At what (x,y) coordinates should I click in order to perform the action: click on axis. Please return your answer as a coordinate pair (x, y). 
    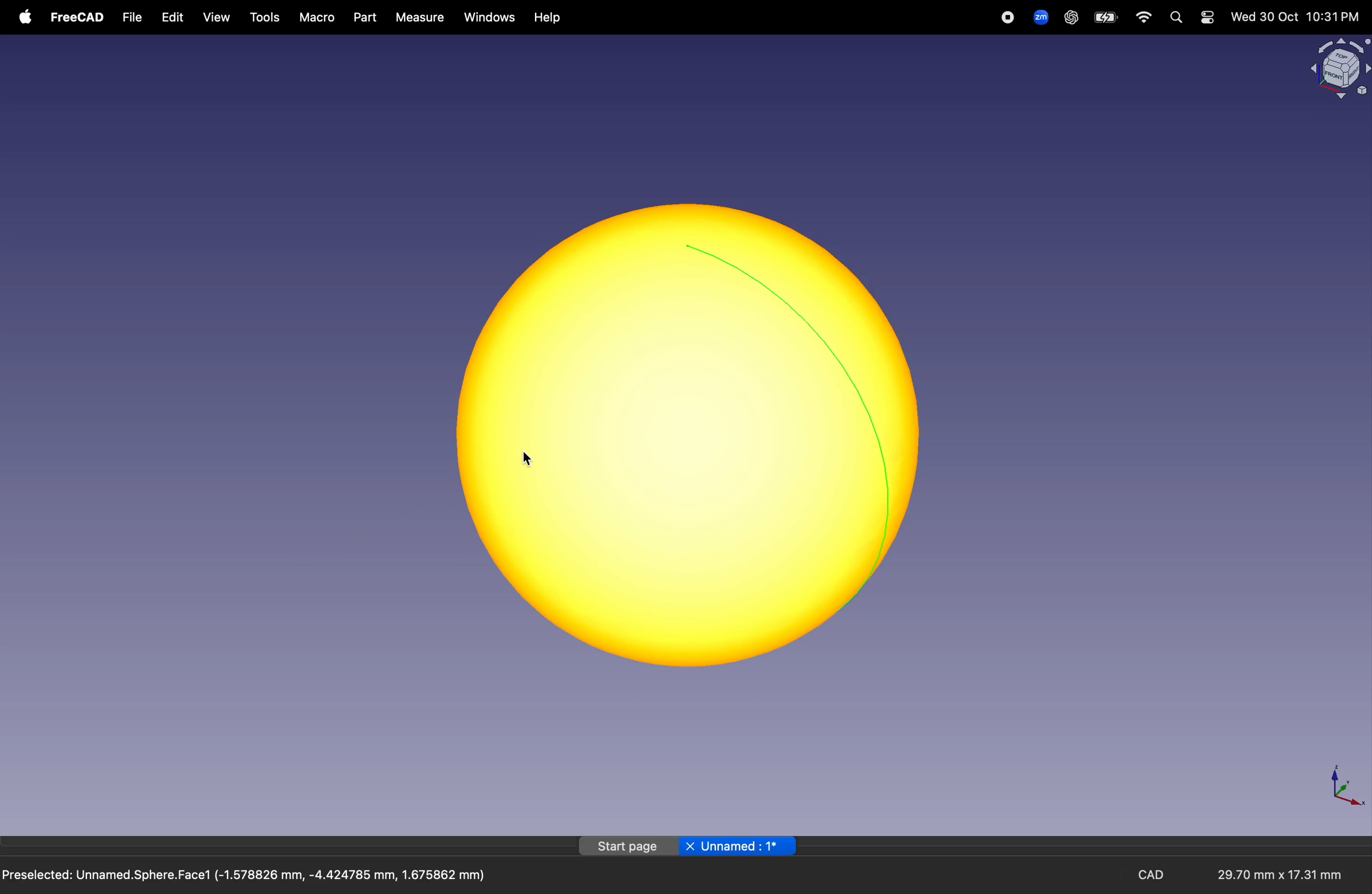
    Looking at the image, I should click on (1344, 784).